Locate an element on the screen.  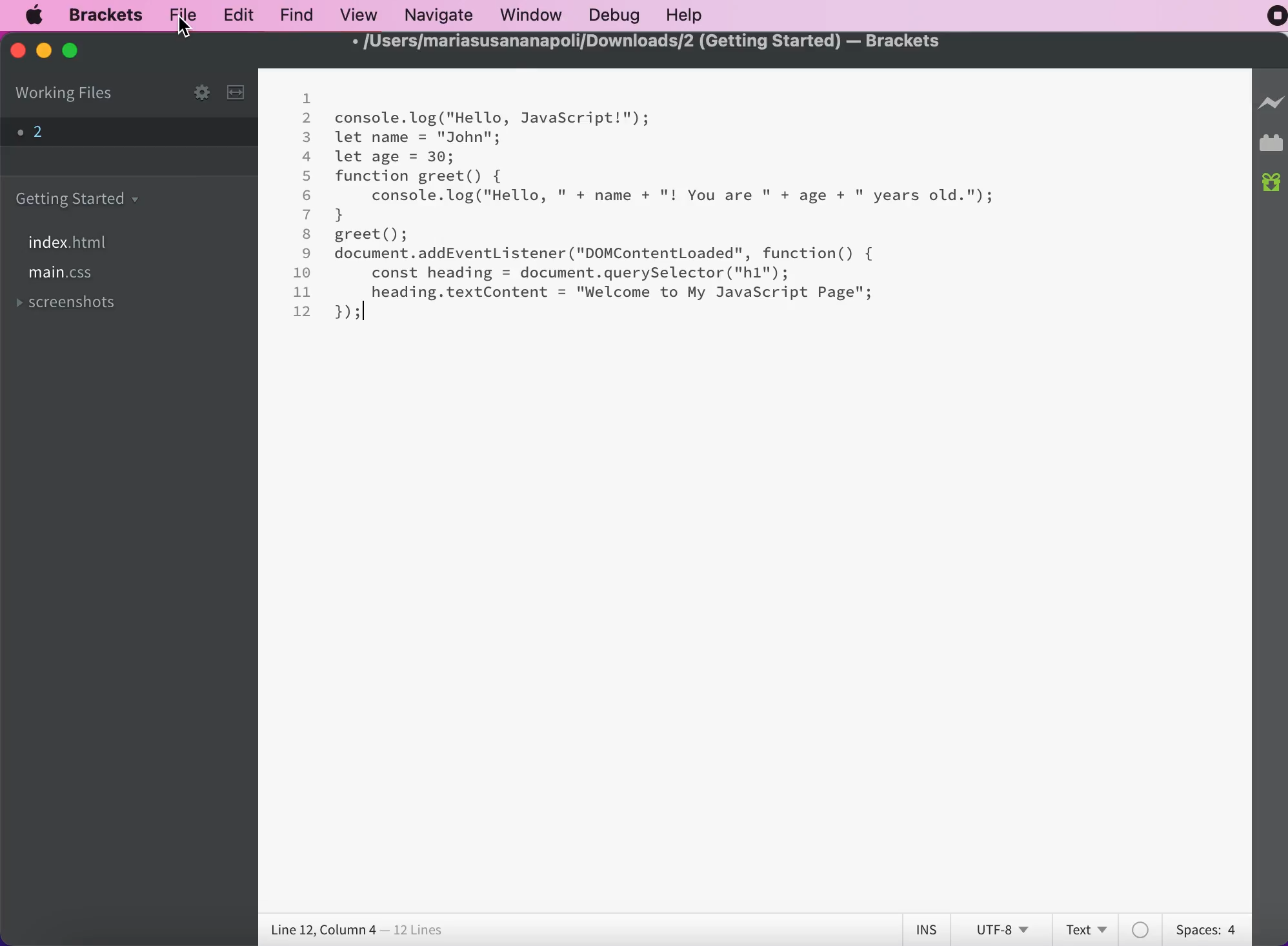
brackets is located at coordinates (100, 15).